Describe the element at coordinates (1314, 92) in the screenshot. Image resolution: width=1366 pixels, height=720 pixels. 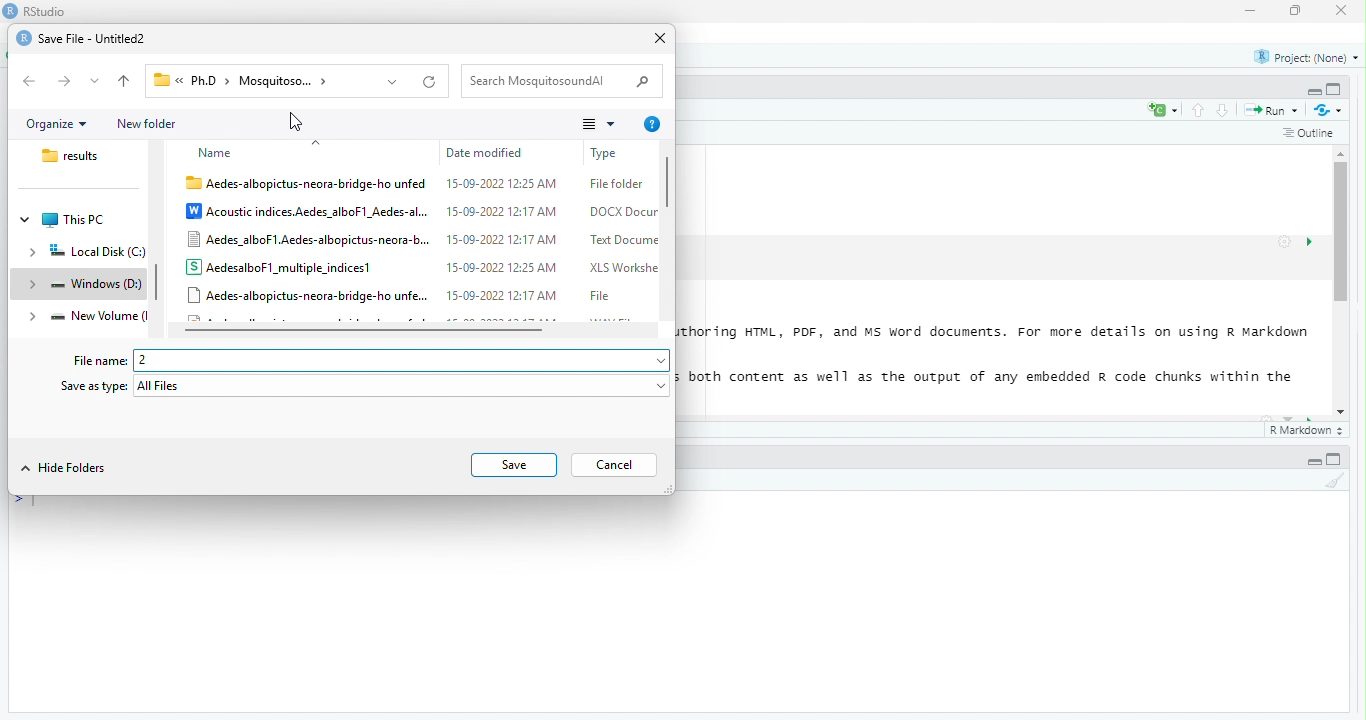
I see `Collapse` at that location.